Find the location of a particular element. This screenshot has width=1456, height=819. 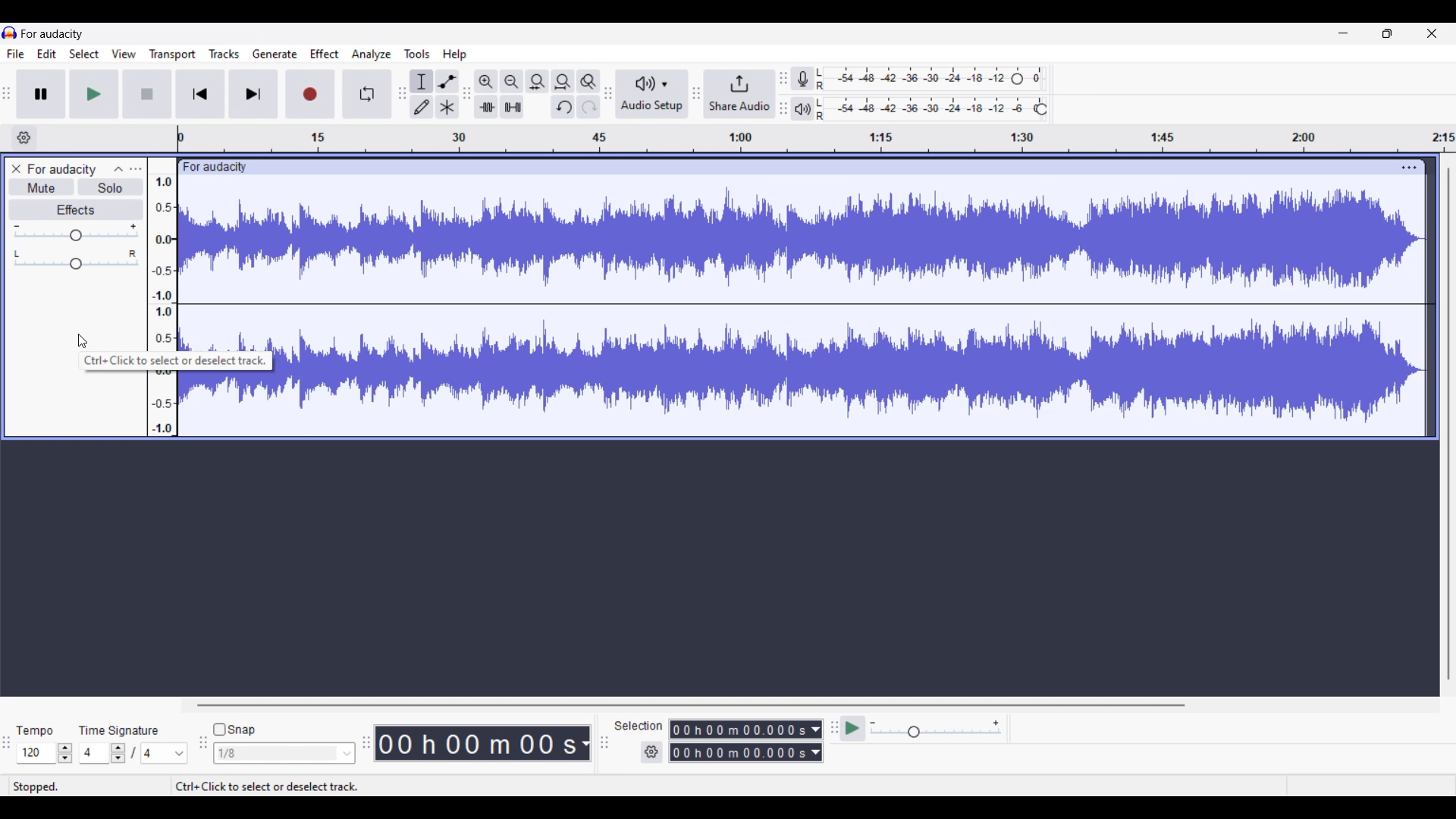

Multi tool is located at coordinates (447, 107).